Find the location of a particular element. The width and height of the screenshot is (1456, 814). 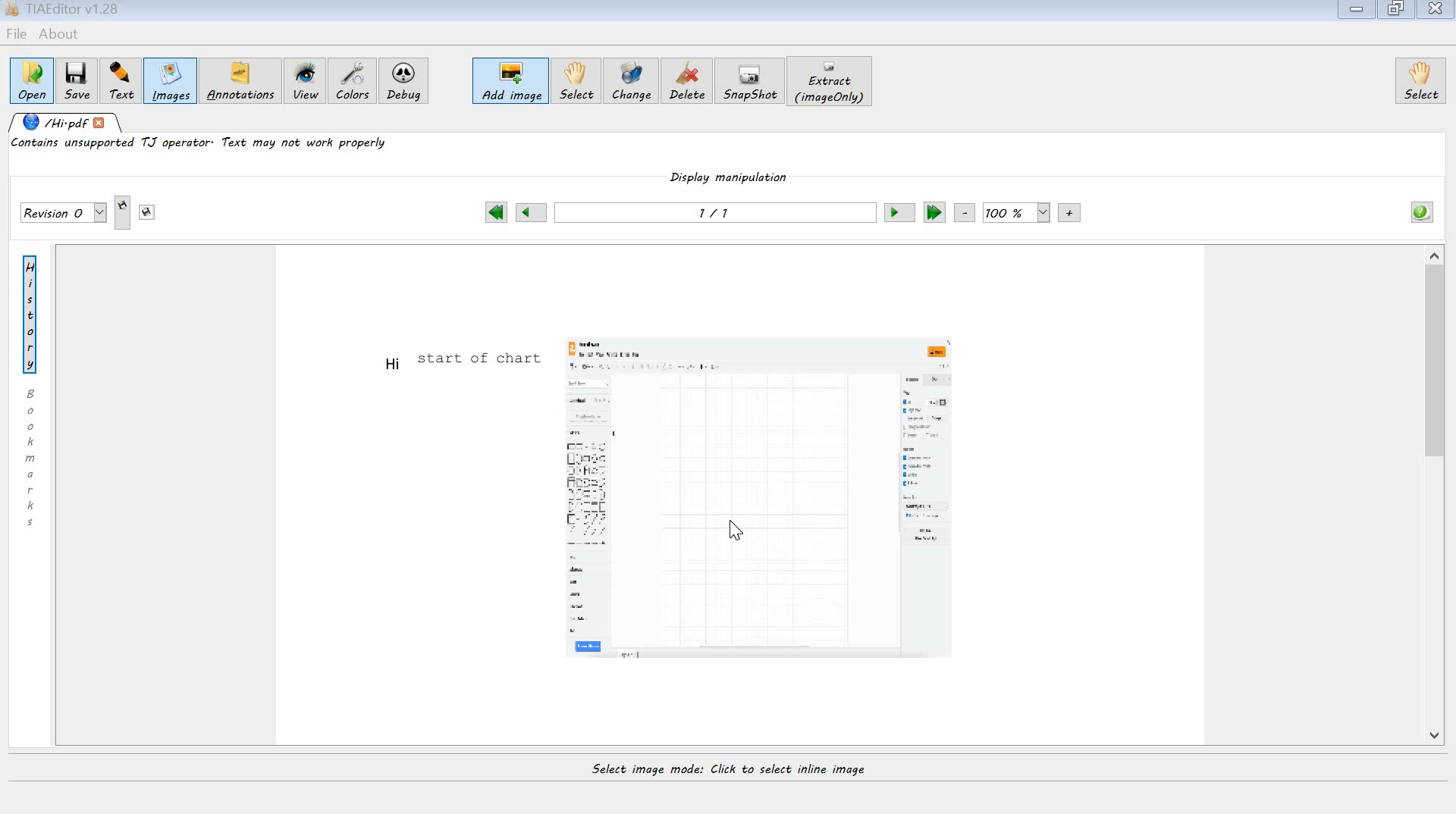

about is located at coordinates (61, 36).